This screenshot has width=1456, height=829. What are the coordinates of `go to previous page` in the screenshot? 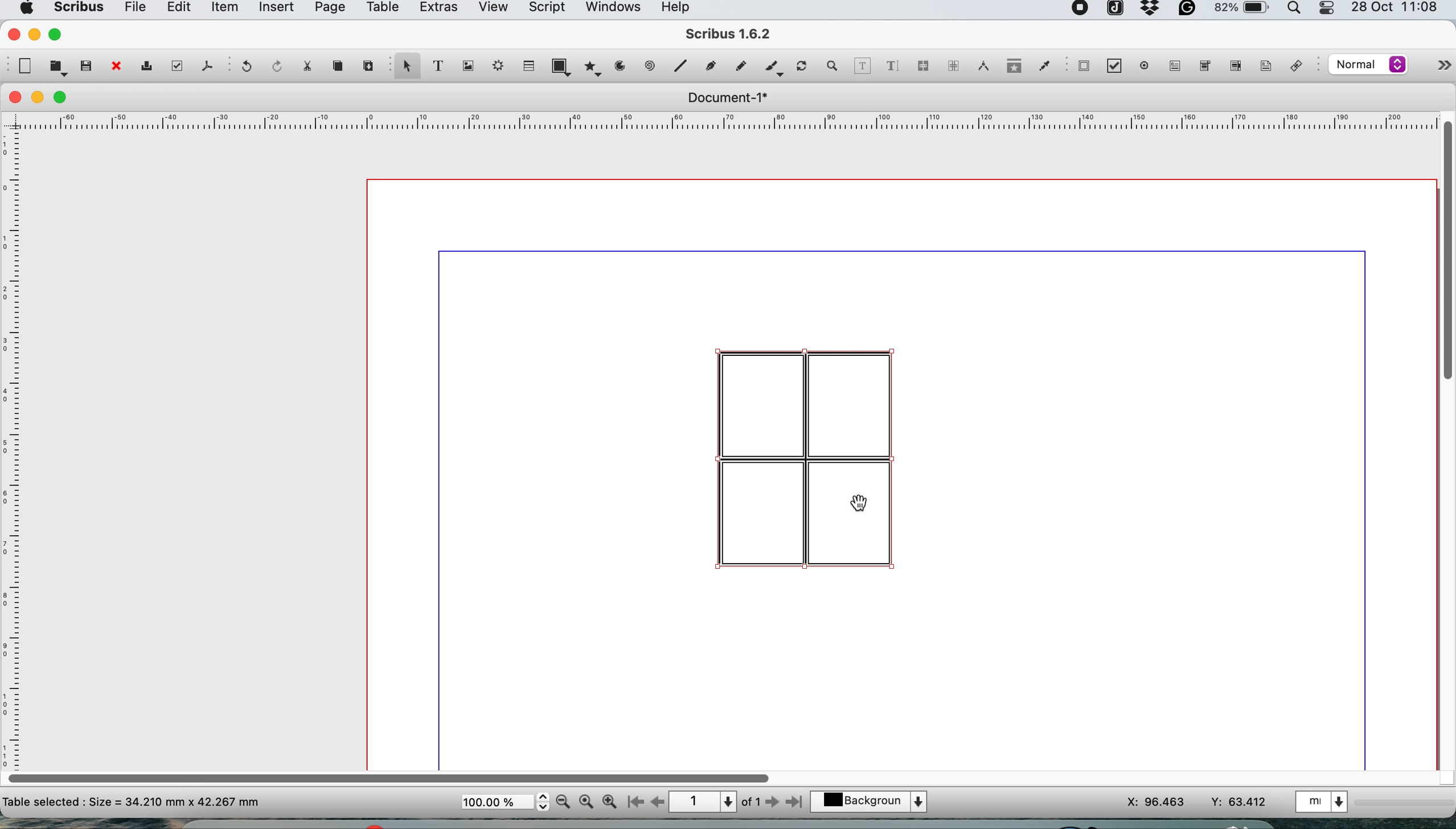 It's located at (657, 803).